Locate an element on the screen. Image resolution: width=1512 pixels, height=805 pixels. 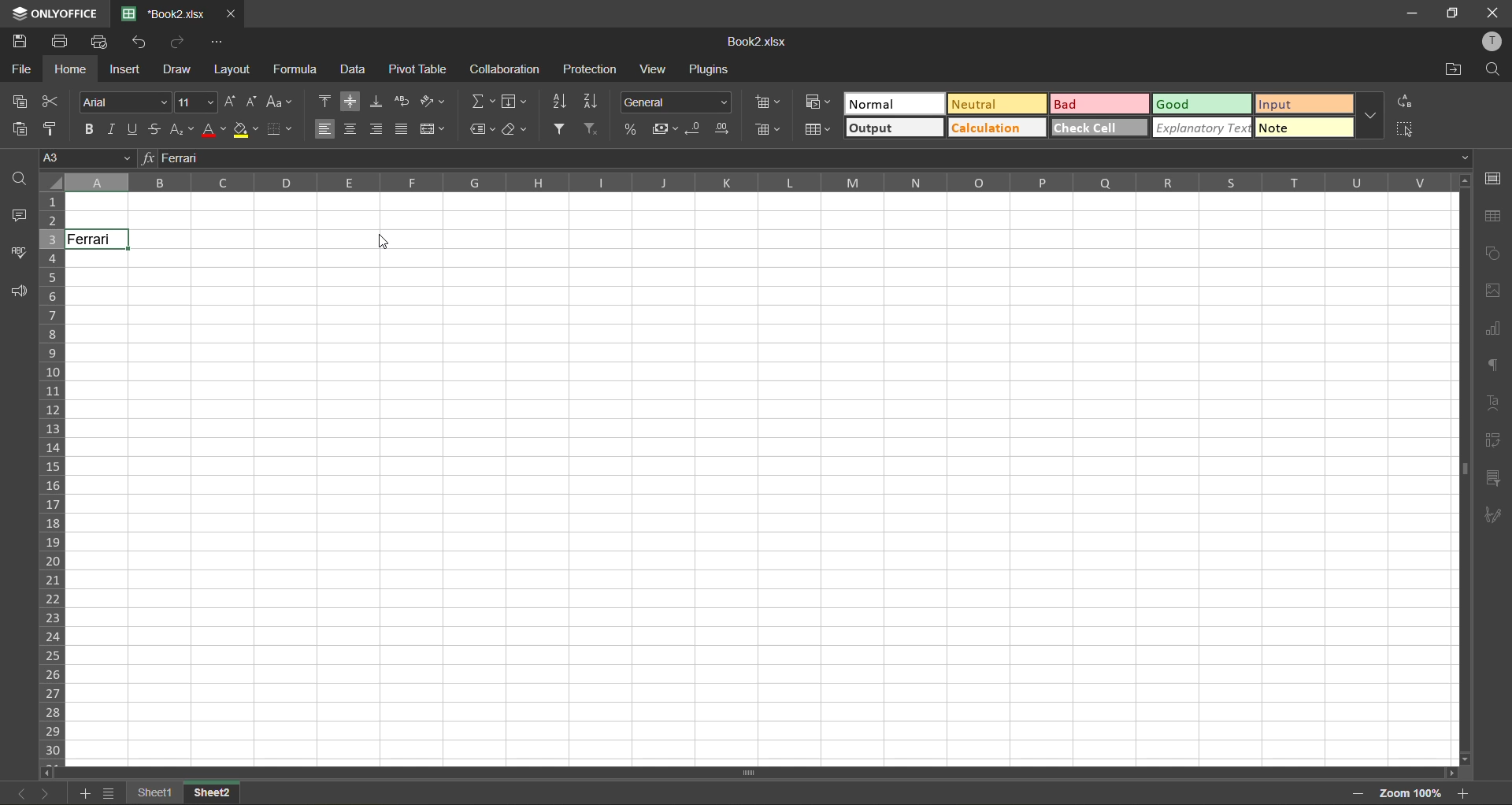
font style is located at coordinates (124, 102).